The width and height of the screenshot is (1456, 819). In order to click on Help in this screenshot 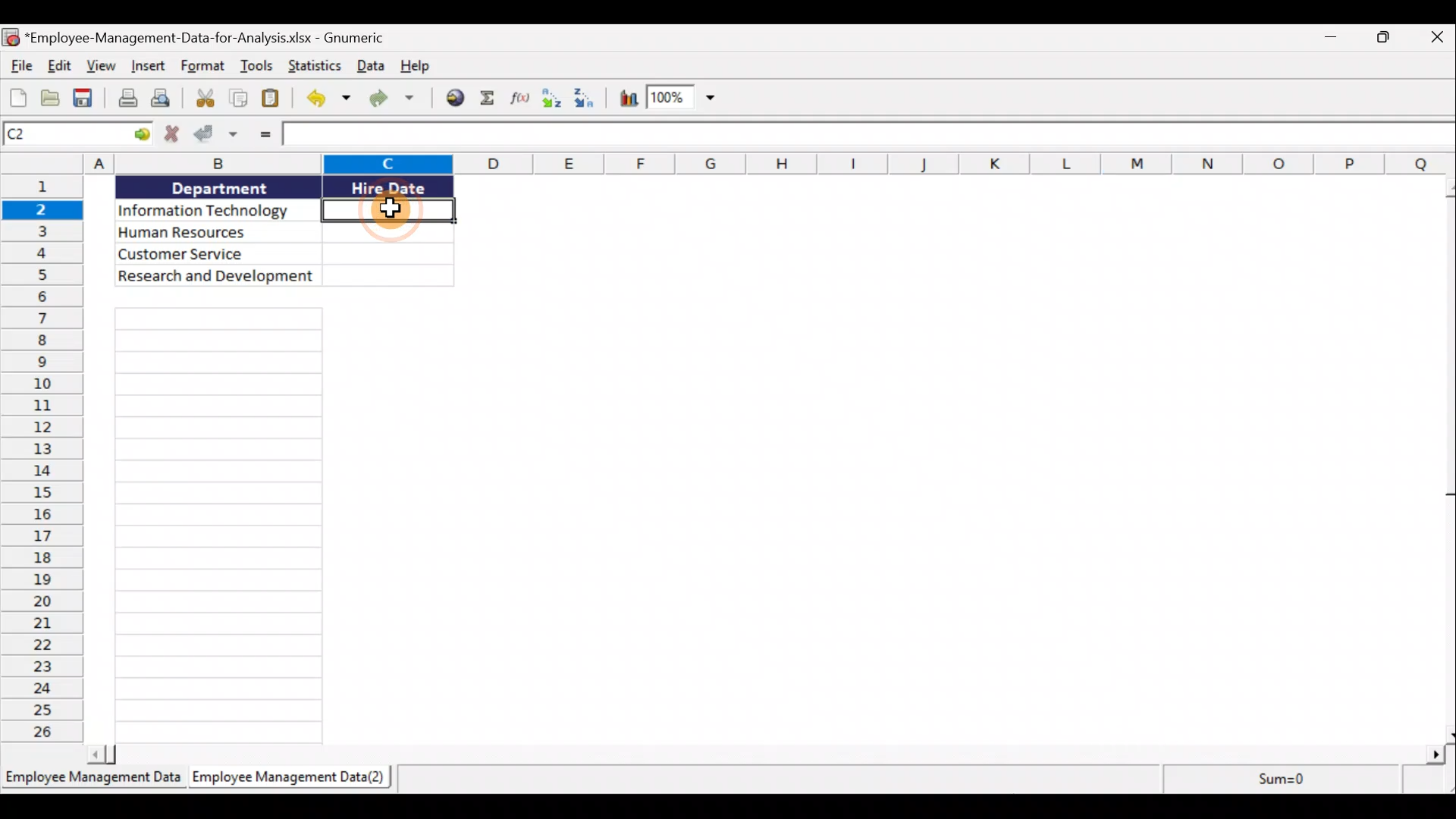, I will do `click(416, 68)`.